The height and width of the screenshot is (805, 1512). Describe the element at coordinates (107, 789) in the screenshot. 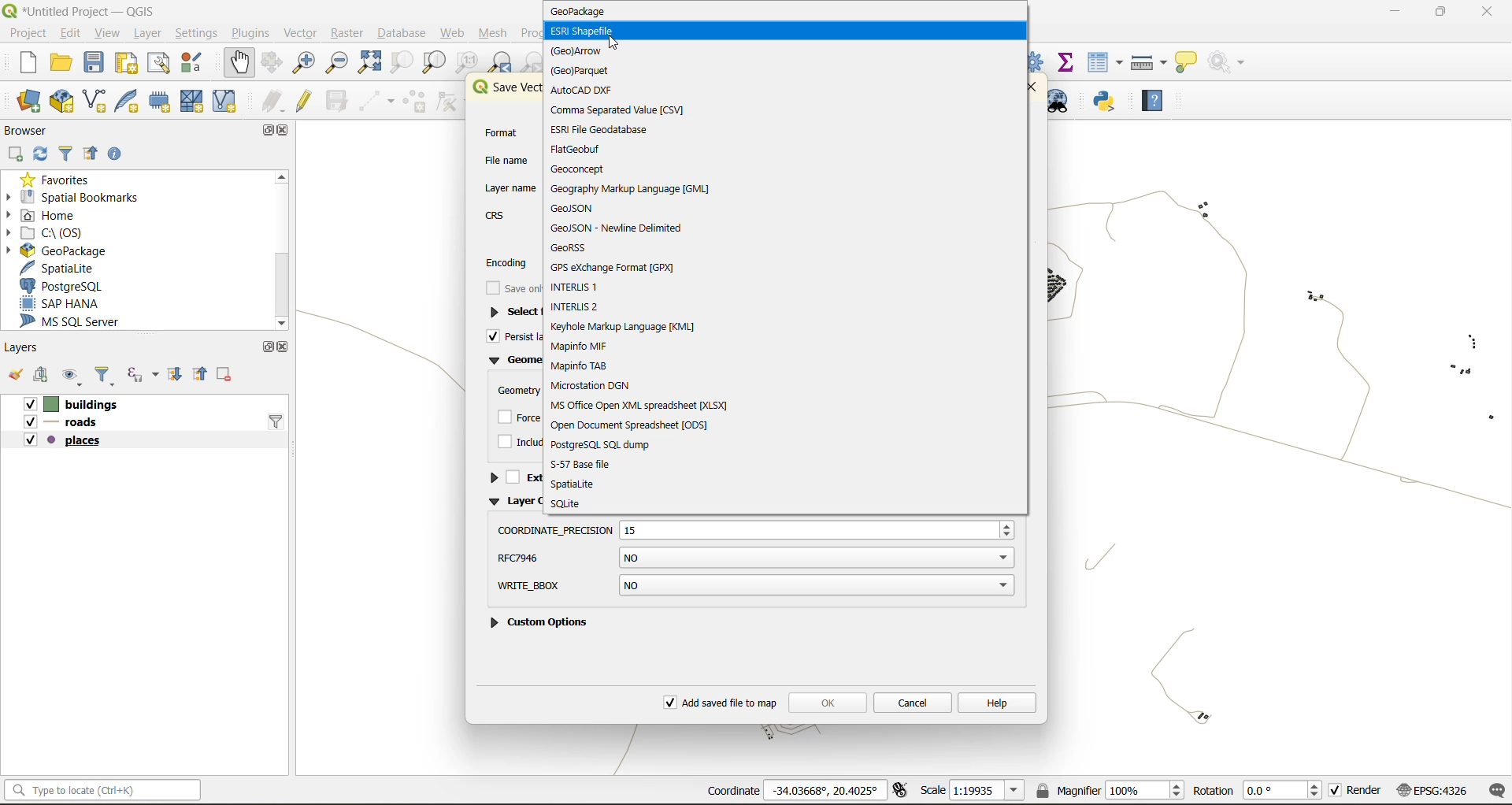

I see `statusbar` at that location.